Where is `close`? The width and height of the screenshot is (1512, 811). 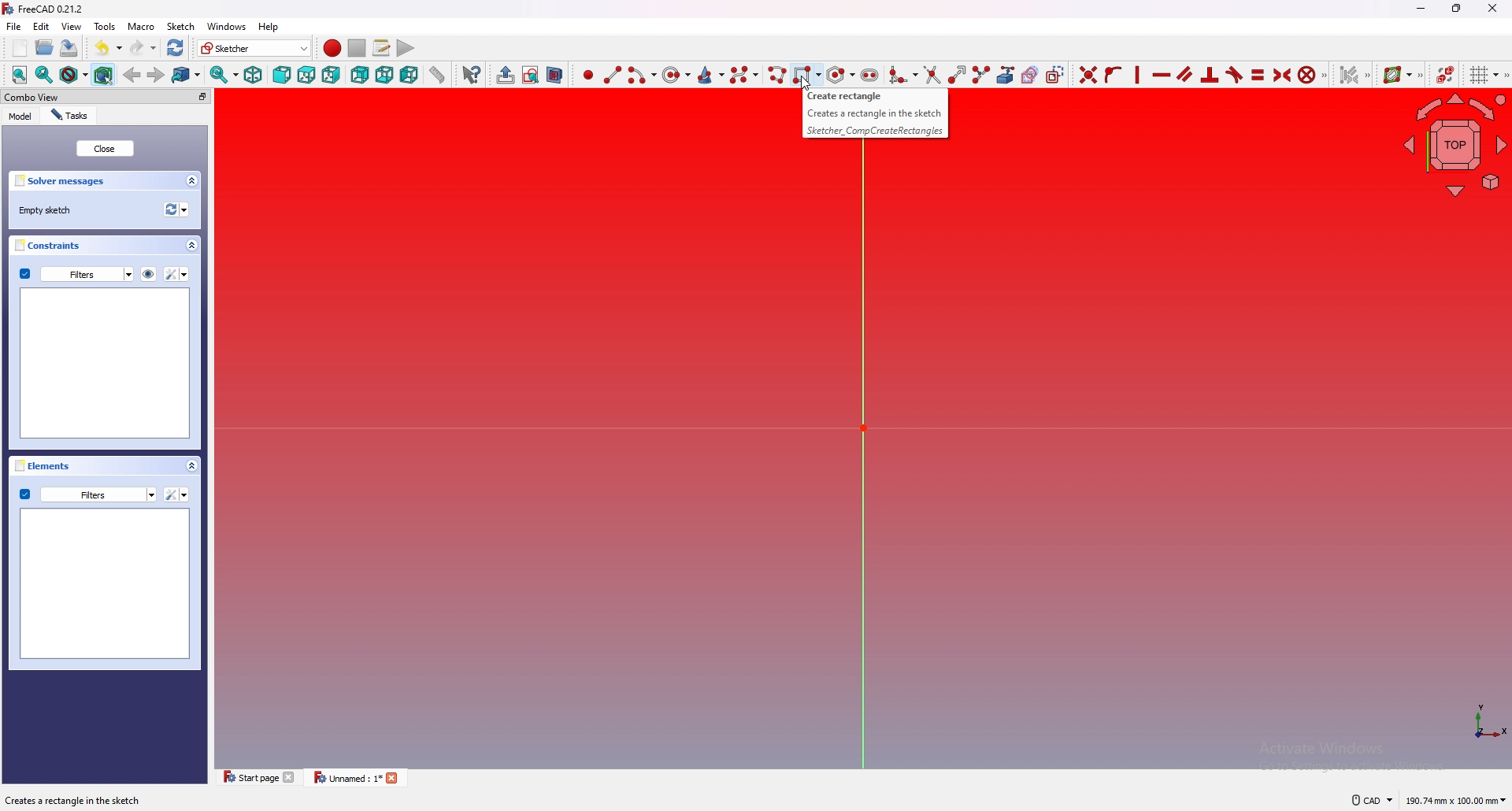 close is located at coordinates (1489, 9).